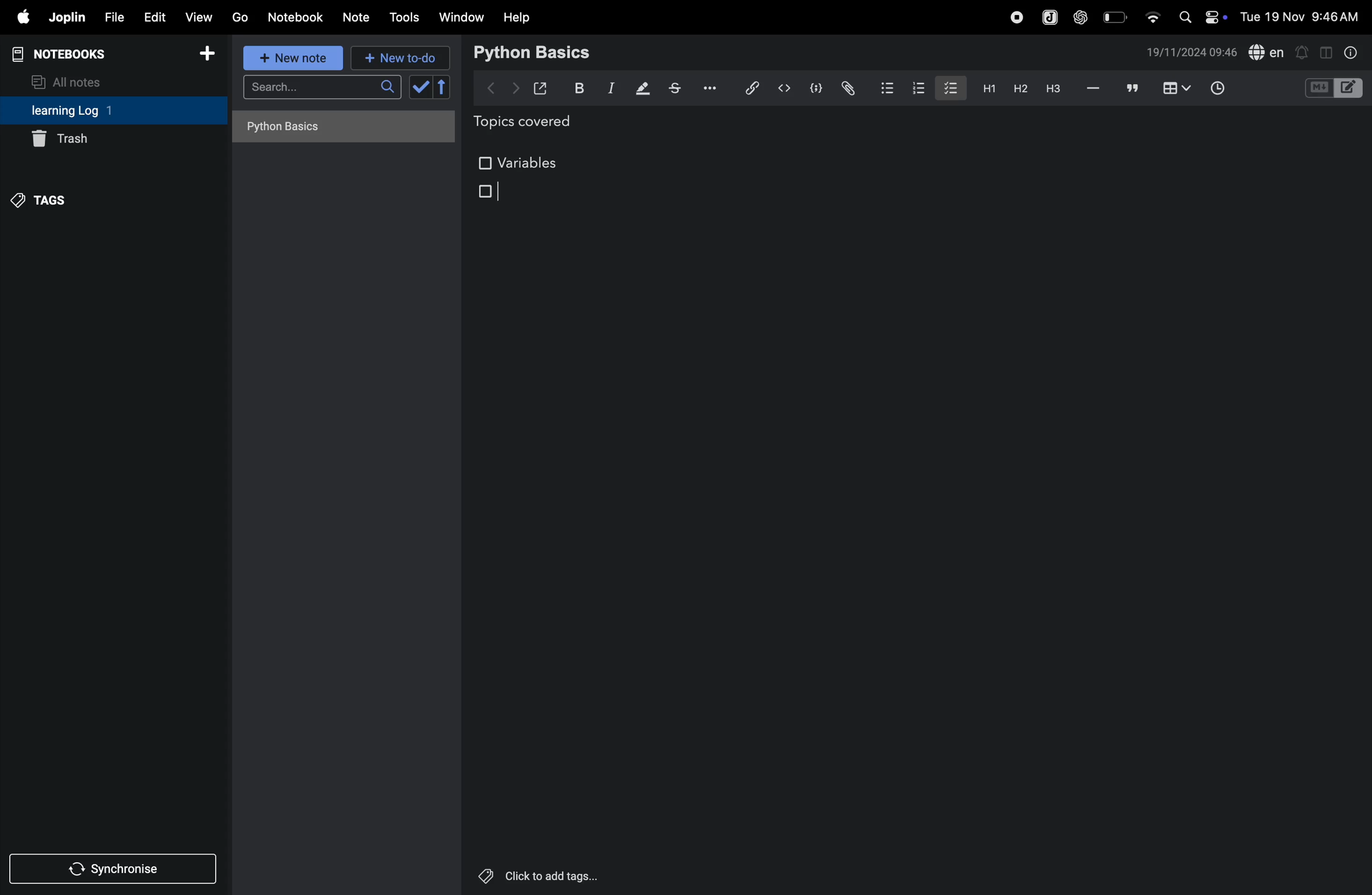 This screenshot has width=1372, height=895. Describe the element at coordinates (707, 87) in the screenshot. I see `options` at that location.